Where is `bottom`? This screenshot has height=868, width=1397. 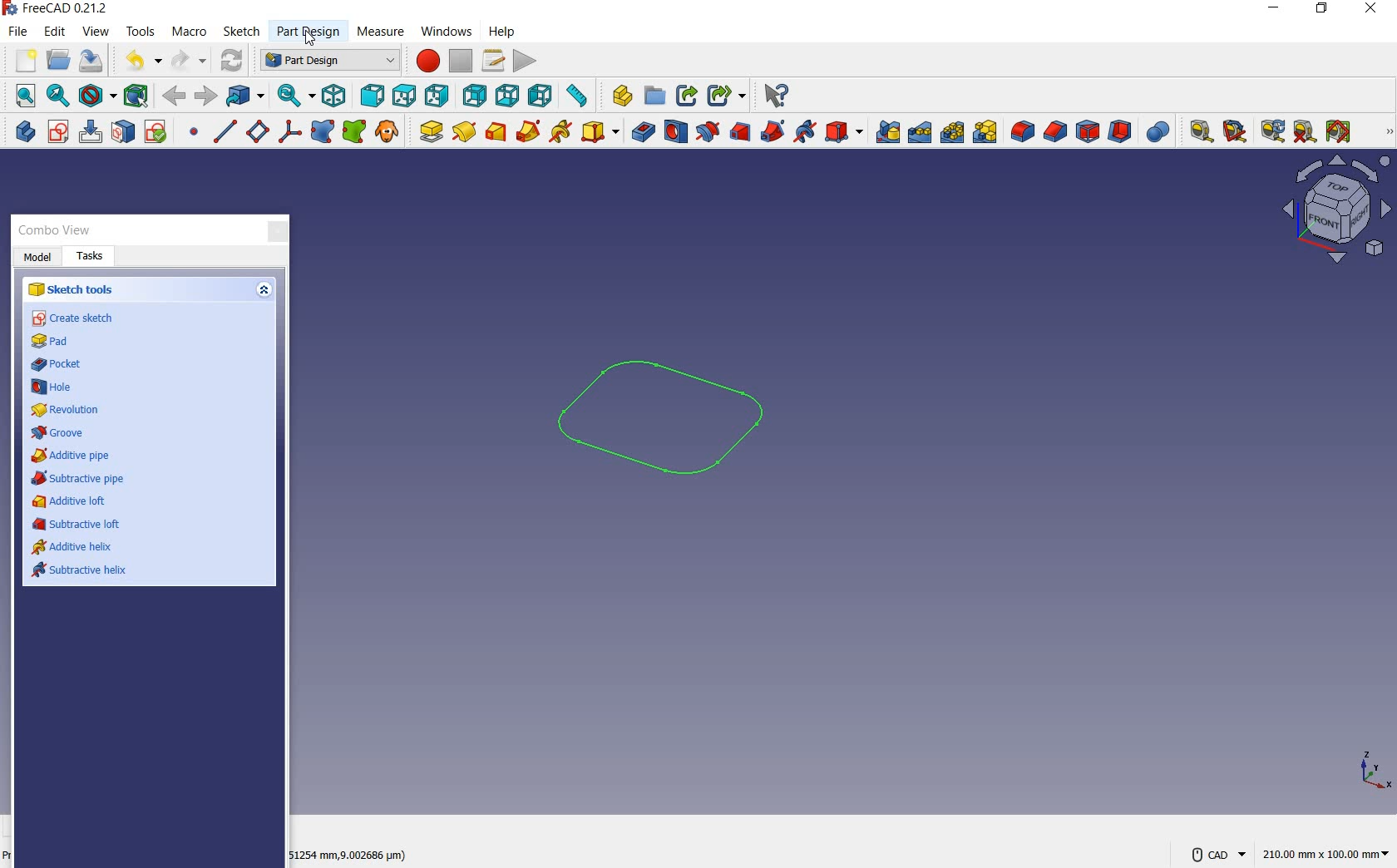
bottom is located at coordinates (509, 94).